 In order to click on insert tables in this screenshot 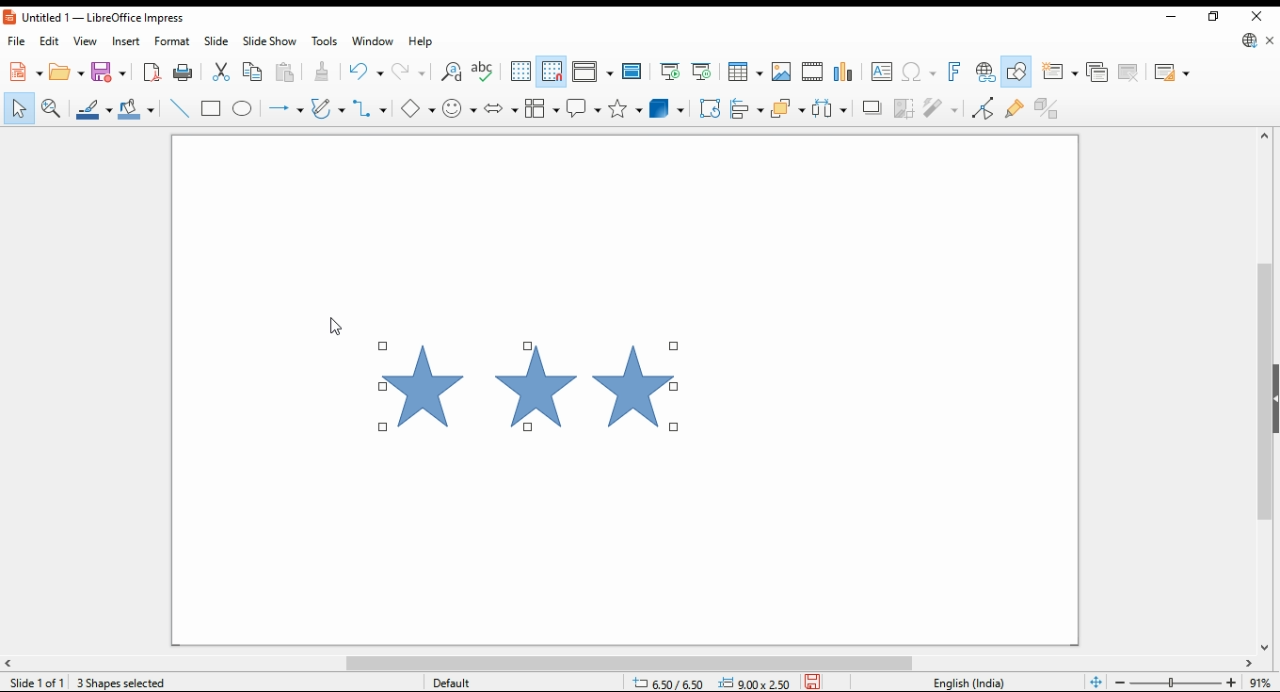, I will do `click(746, 70)`.